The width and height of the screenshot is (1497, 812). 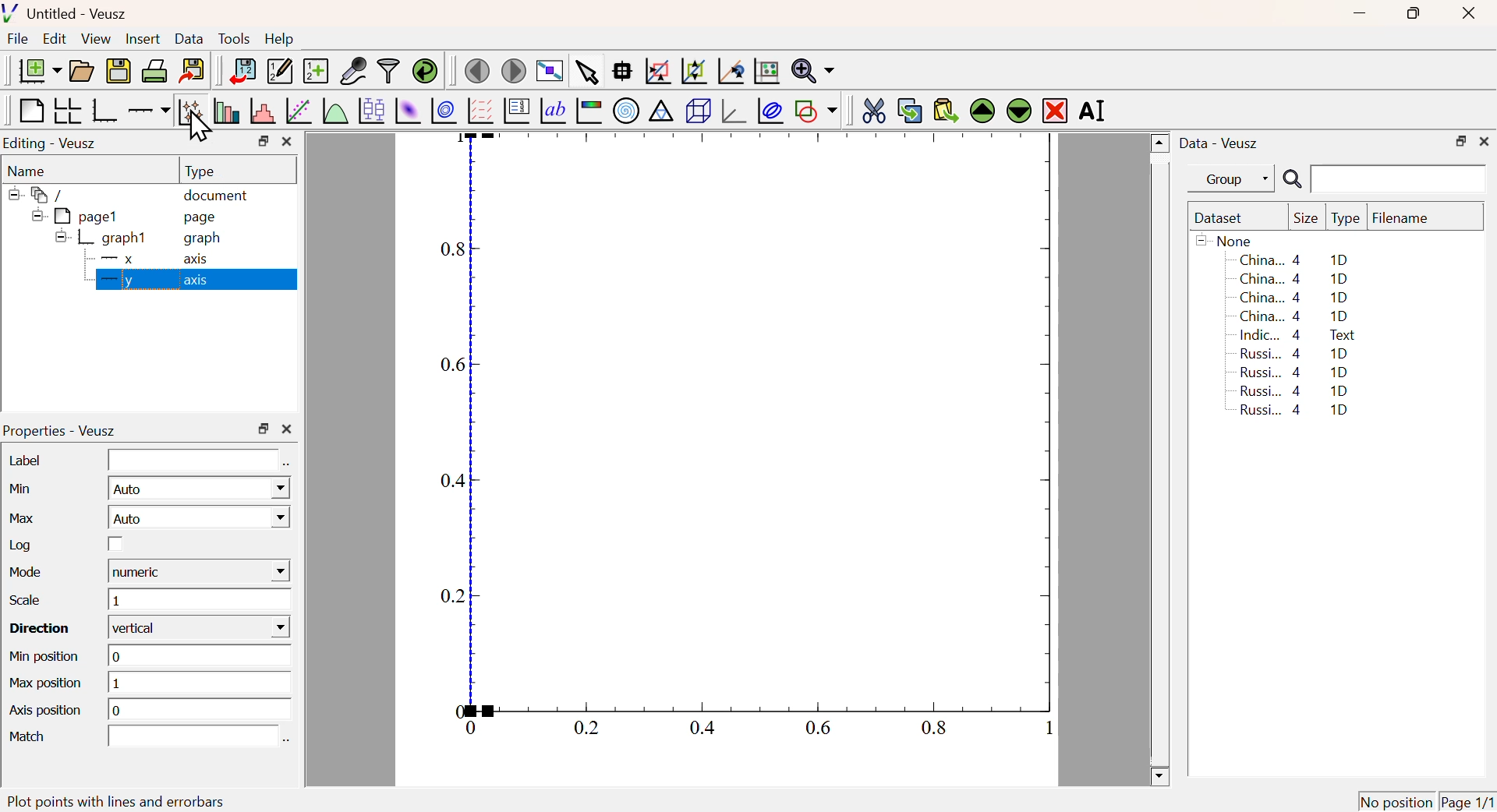 What do you see at coordinates (287, 430) in the screenshot?
I see `Close` at bounding box center [287, 430].